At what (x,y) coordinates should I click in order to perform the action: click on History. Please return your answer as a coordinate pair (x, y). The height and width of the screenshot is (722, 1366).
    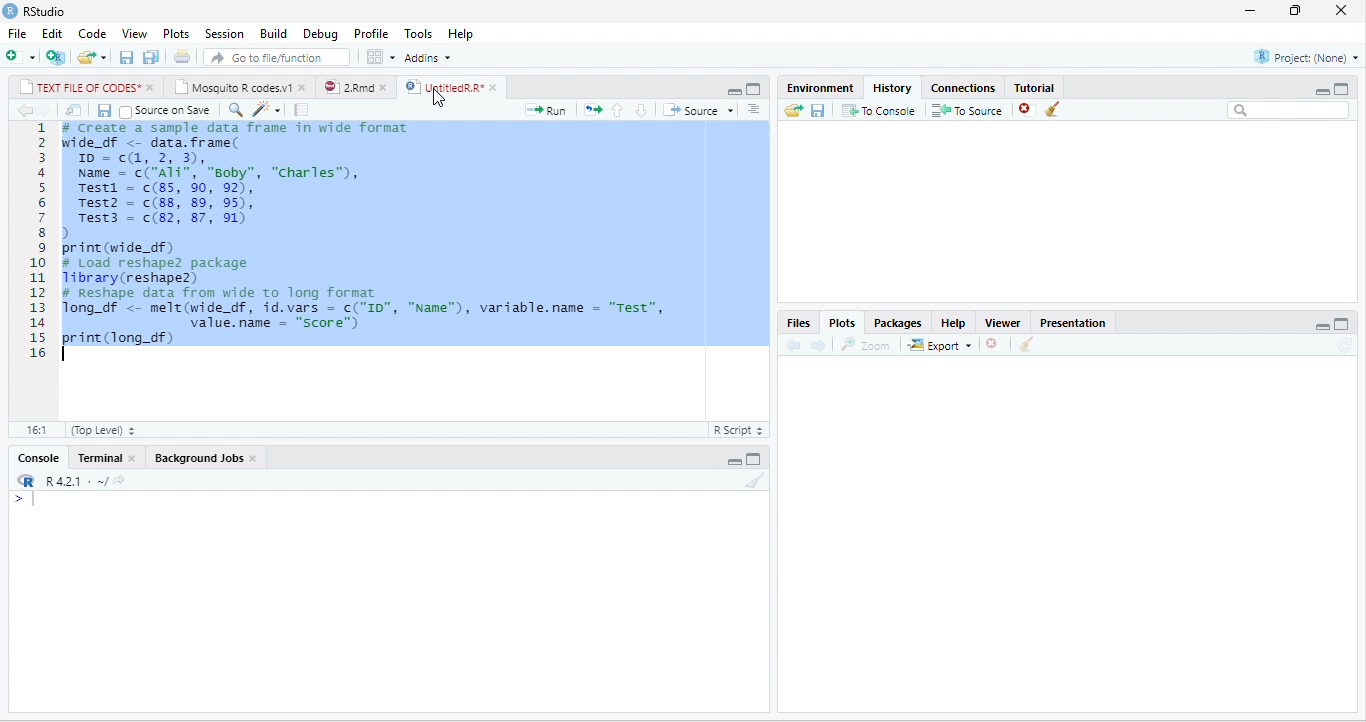
    Looking at the image, I should click on (892, 88).